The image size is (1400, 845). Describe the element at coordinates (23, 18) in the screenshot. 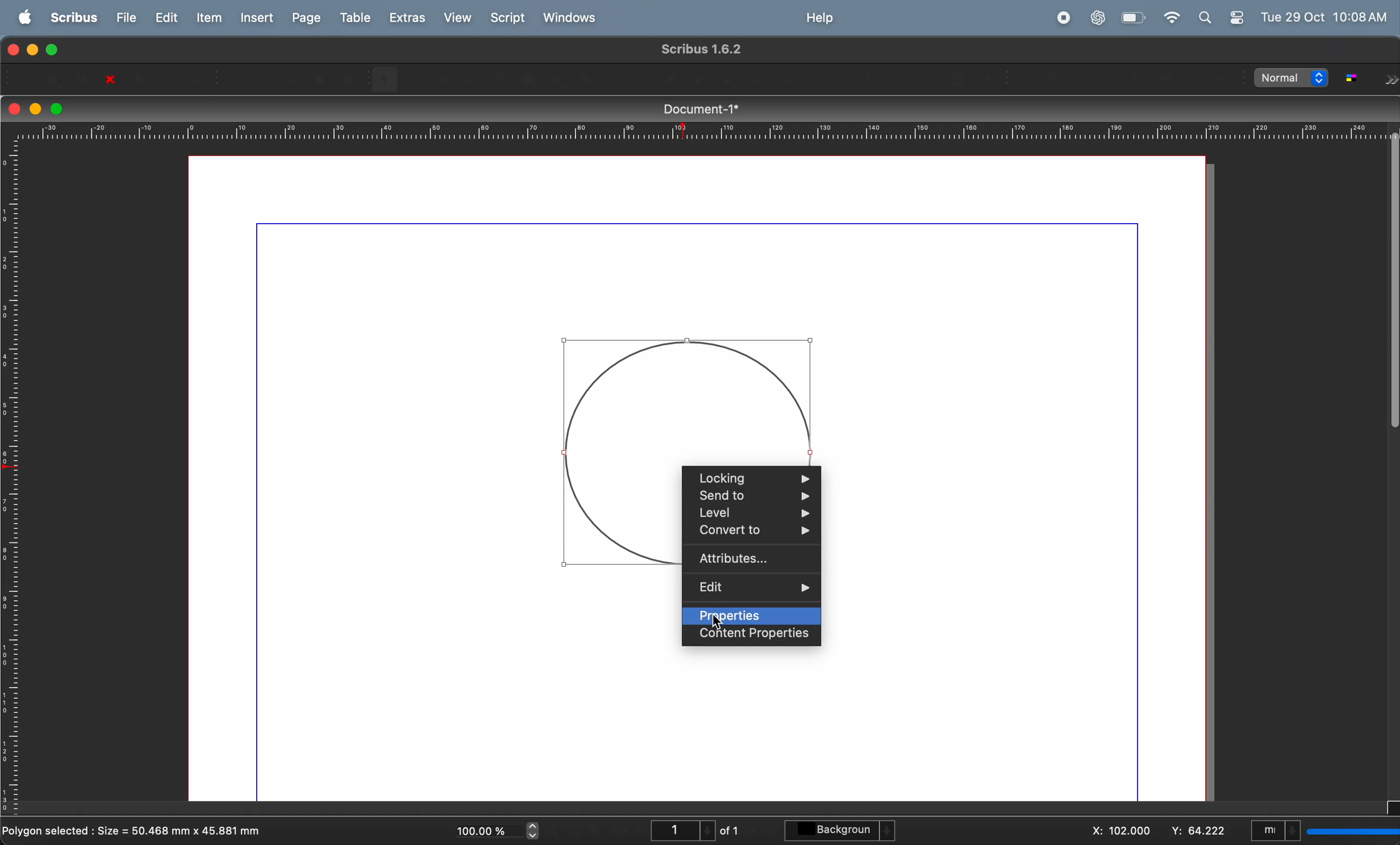

I see `apple menu` at that location.